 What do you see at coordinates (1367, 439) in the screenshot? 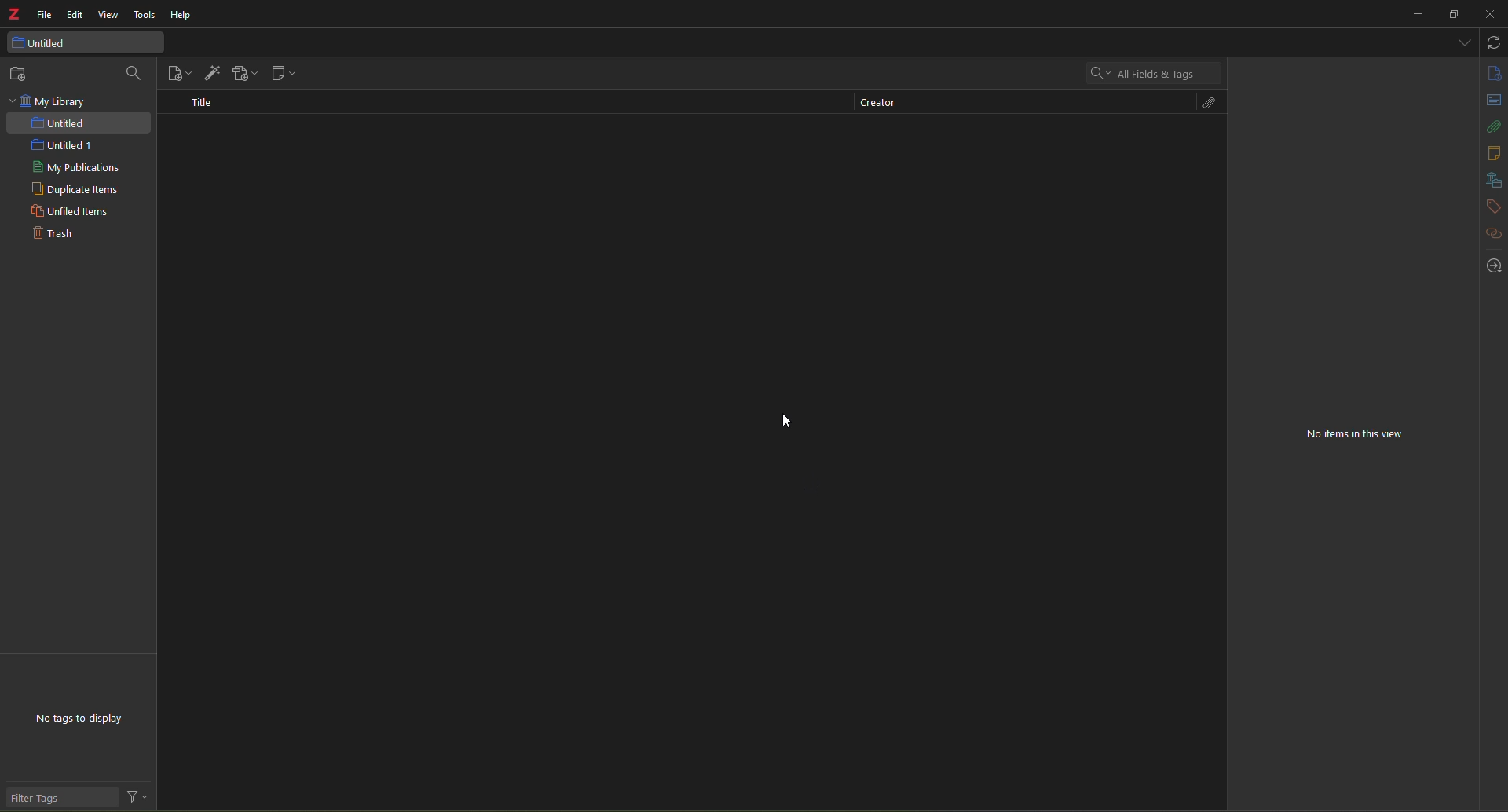
I see `no items in this view` at bounding box center [1367, 439].